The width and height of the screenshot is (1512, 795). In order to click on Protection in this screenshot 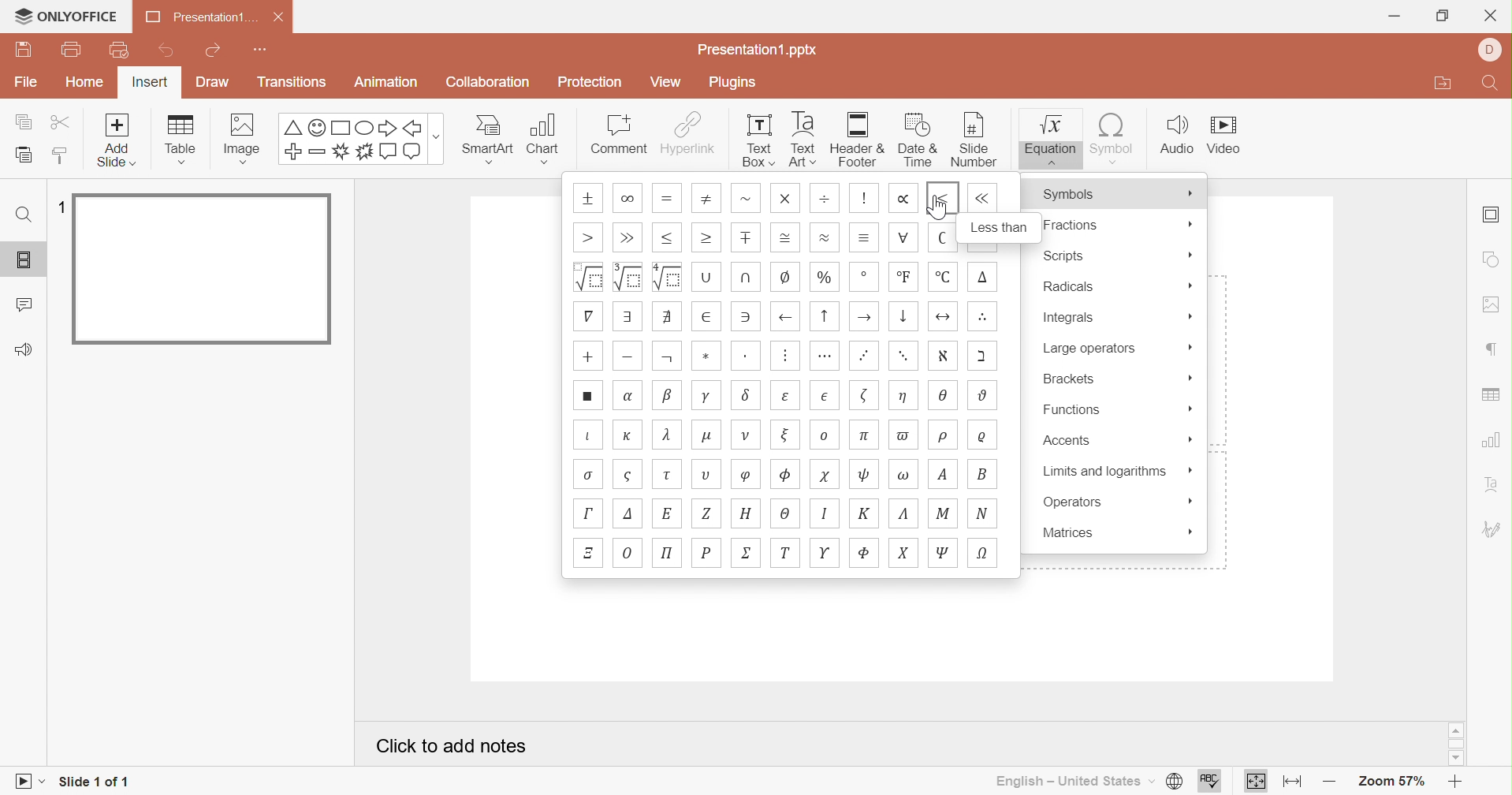, I will do `click(594, 84)`.